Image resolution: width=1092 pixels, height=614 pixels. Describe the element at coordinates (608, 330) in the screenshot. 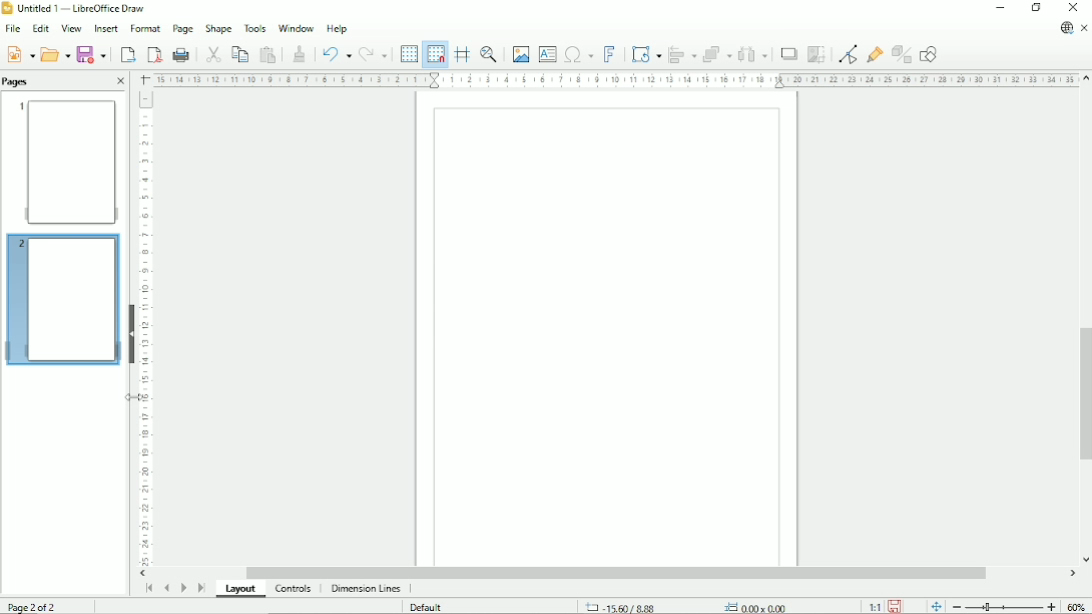

I see `Canvas` at that location.